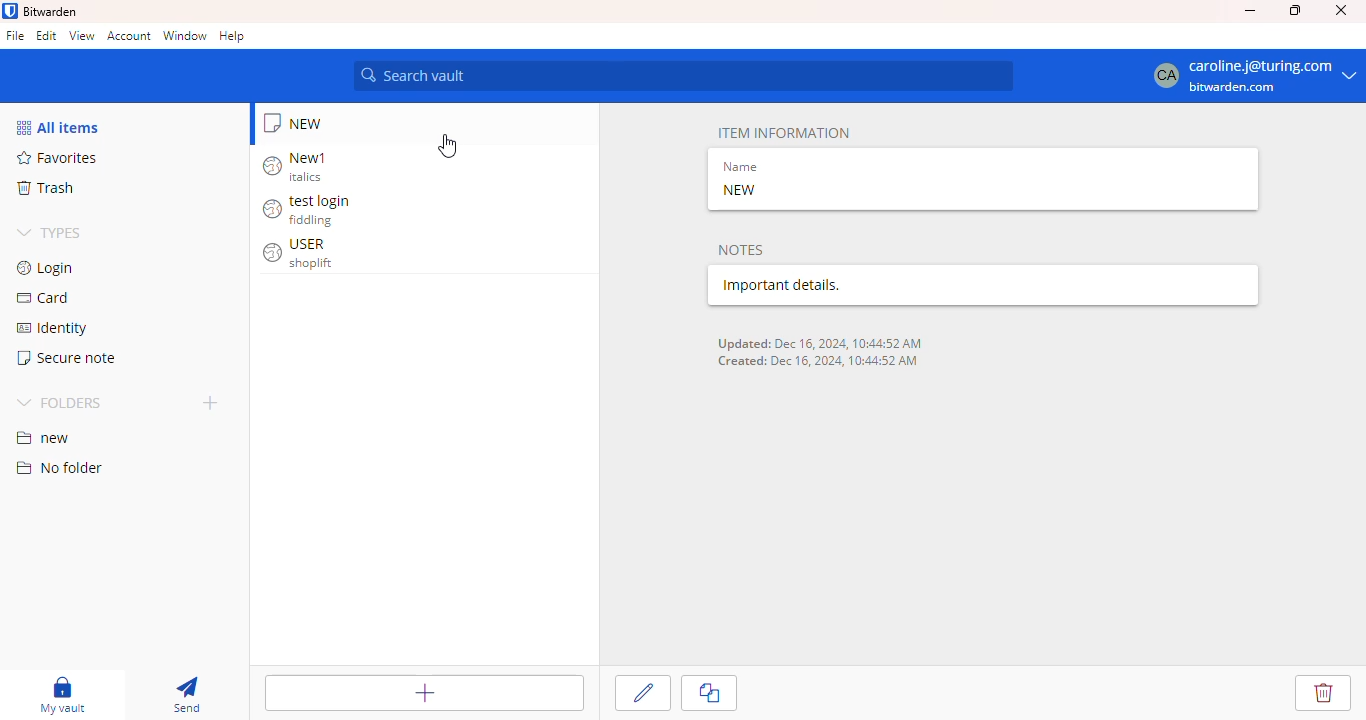  Describe the element at coordinates (67, 358) in the screenshot. I see `secure note` at that location.